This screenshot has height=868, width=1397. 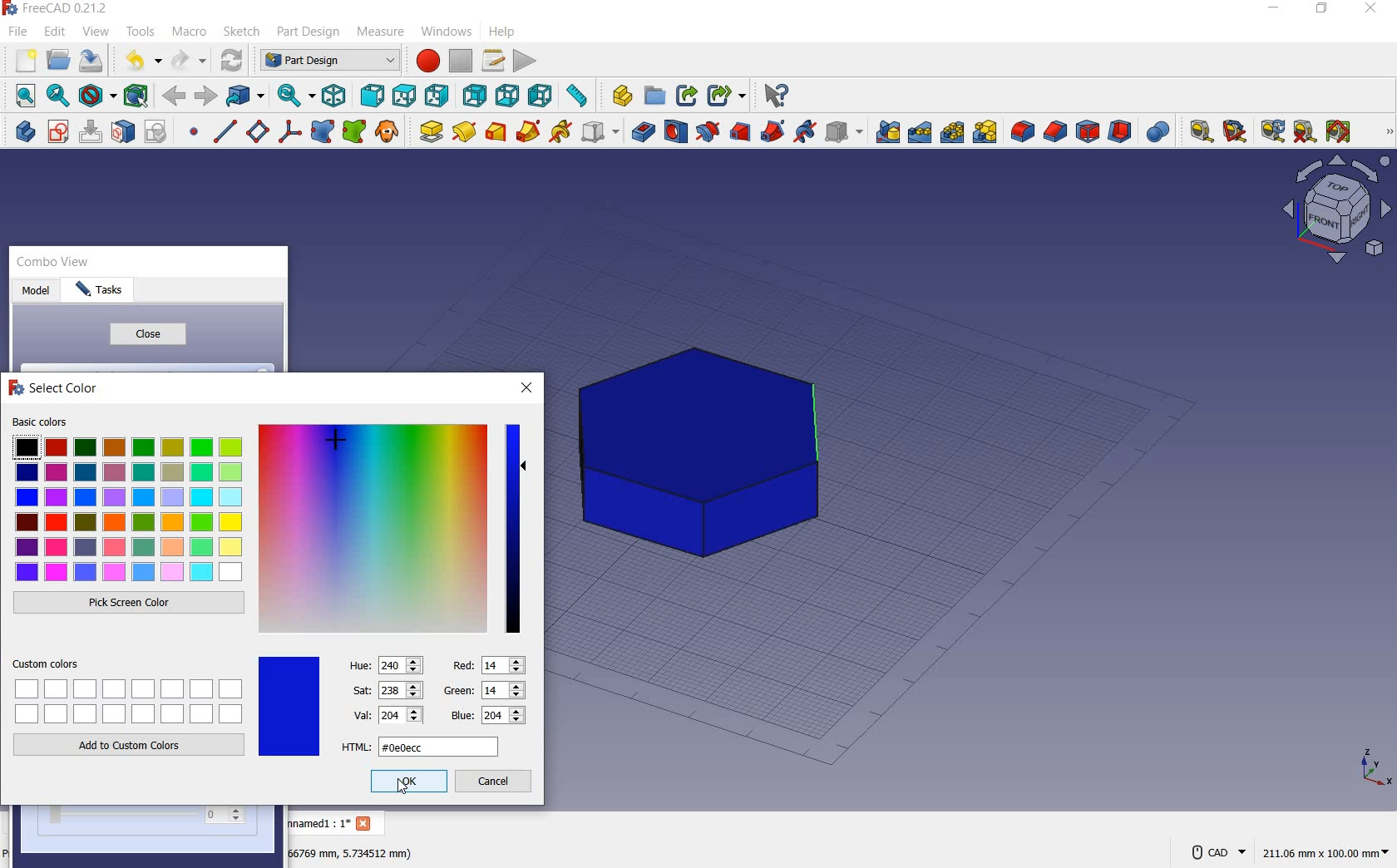 I want to click on subtractive pipe, so click(x=773, y=132).